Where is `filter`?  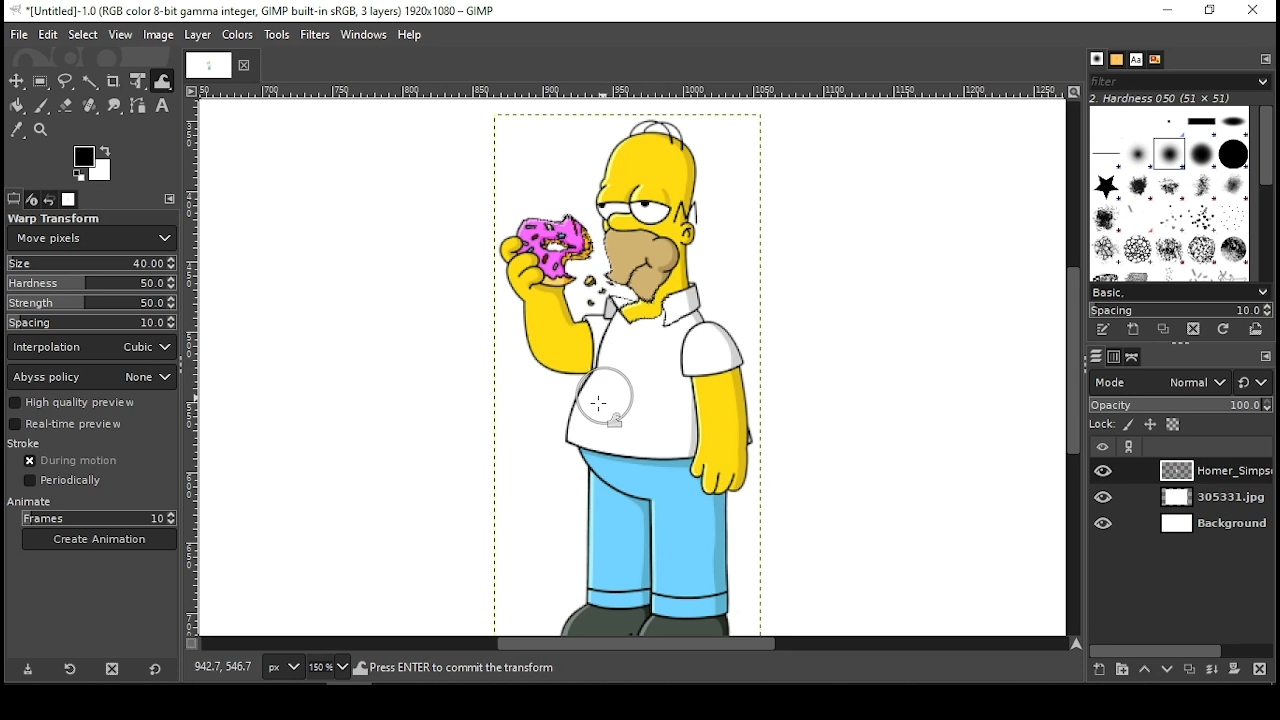 filter is located at coordinates (1177, 80).